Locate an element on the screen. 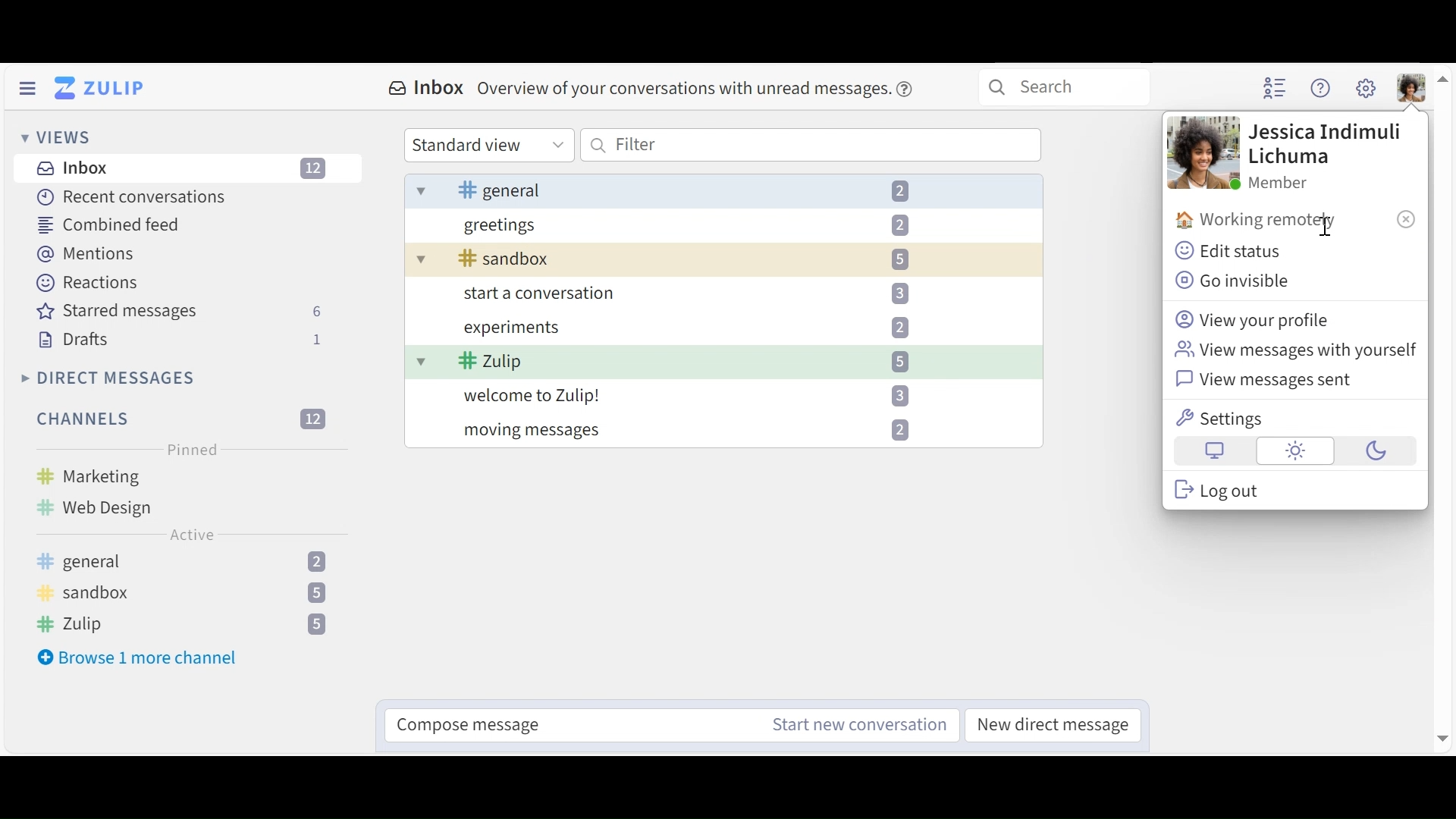 This screenshot has width=1456, height=819. greetings is located at coordinates (505, 224).